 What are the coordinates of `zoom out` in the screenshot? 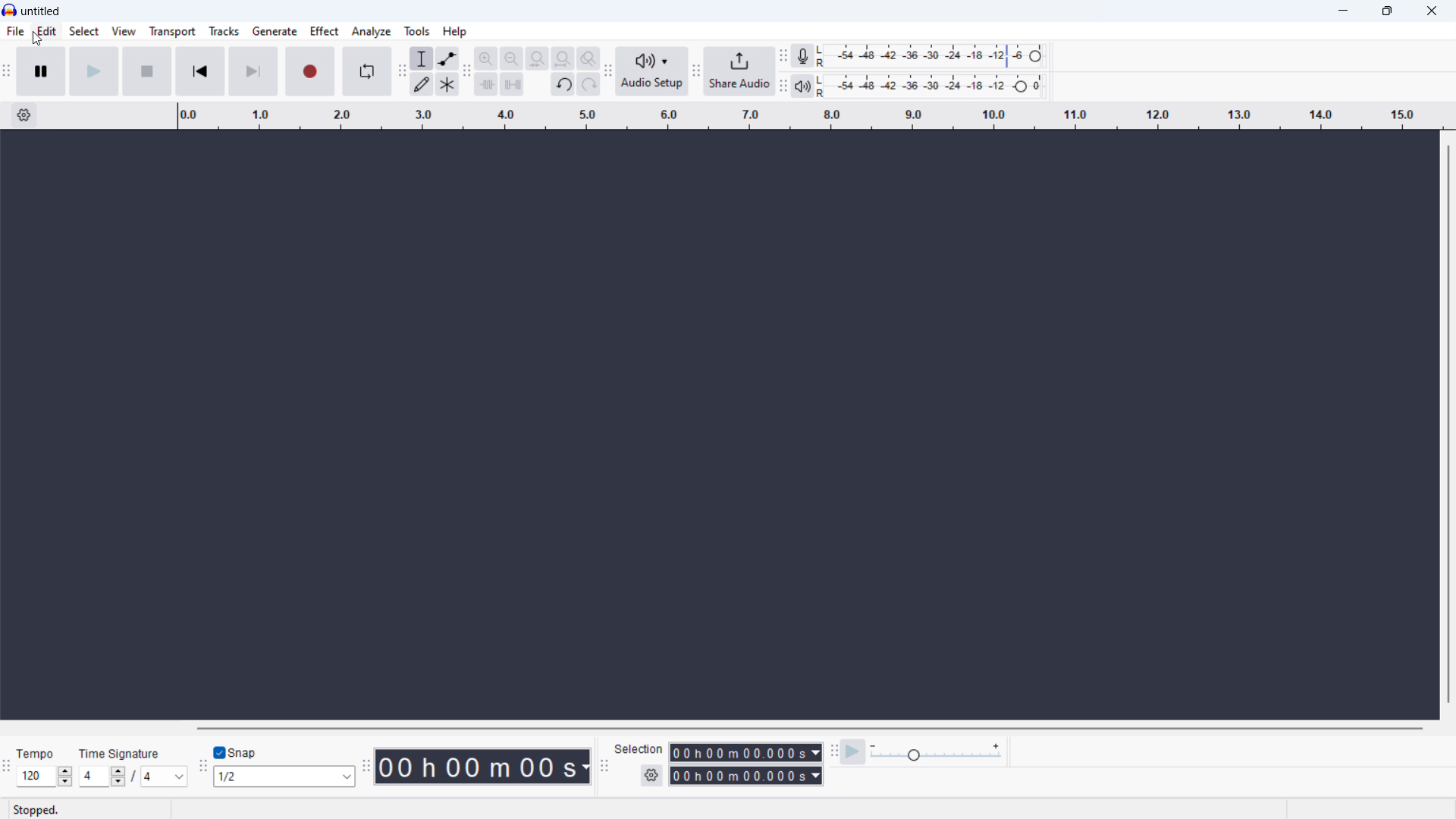 It's located at (512, 59).